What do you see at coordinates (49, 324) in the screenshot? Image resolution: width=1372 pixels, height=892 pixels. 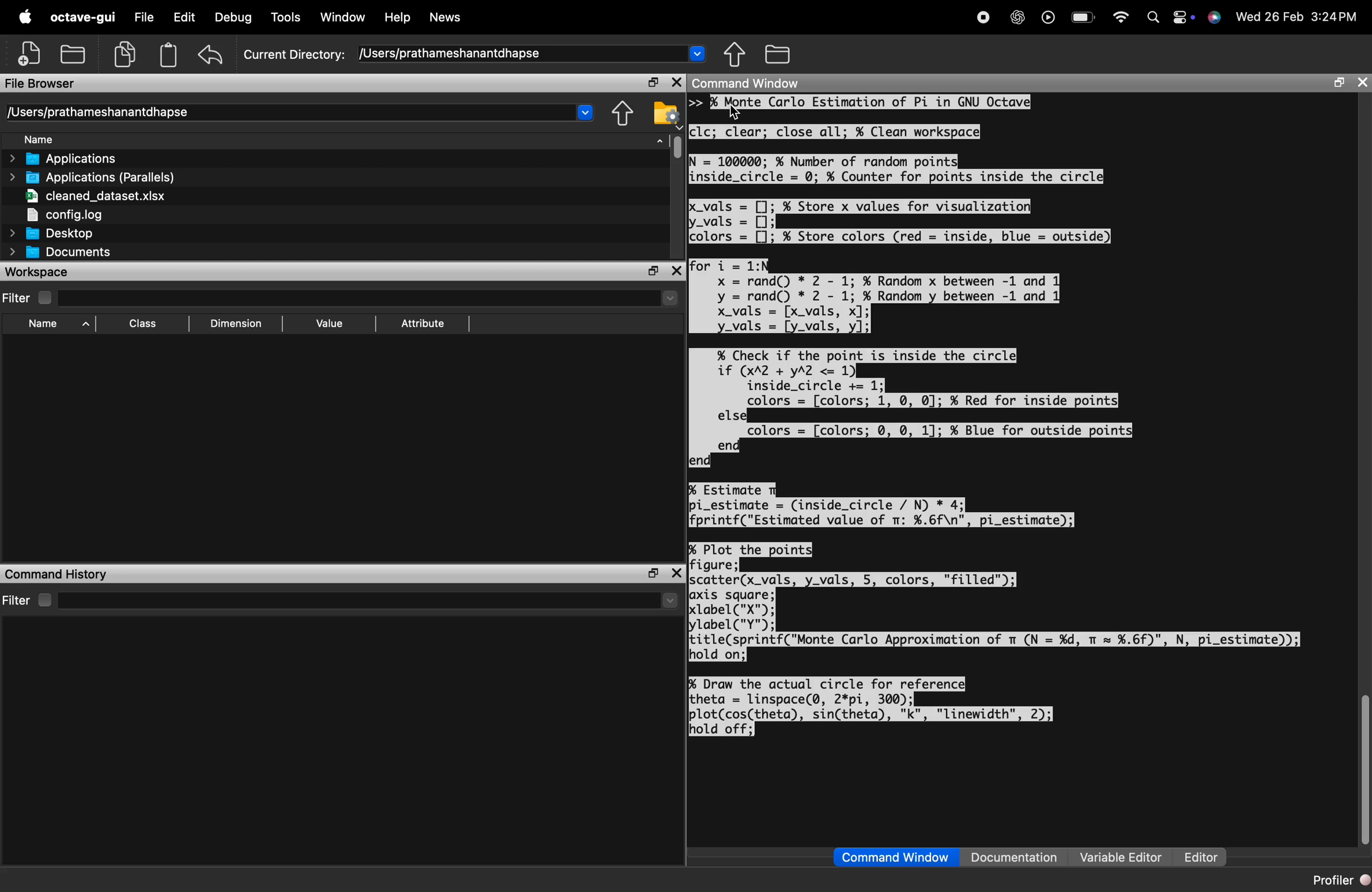 I see `Name ~` at bounding box center [49, 324].